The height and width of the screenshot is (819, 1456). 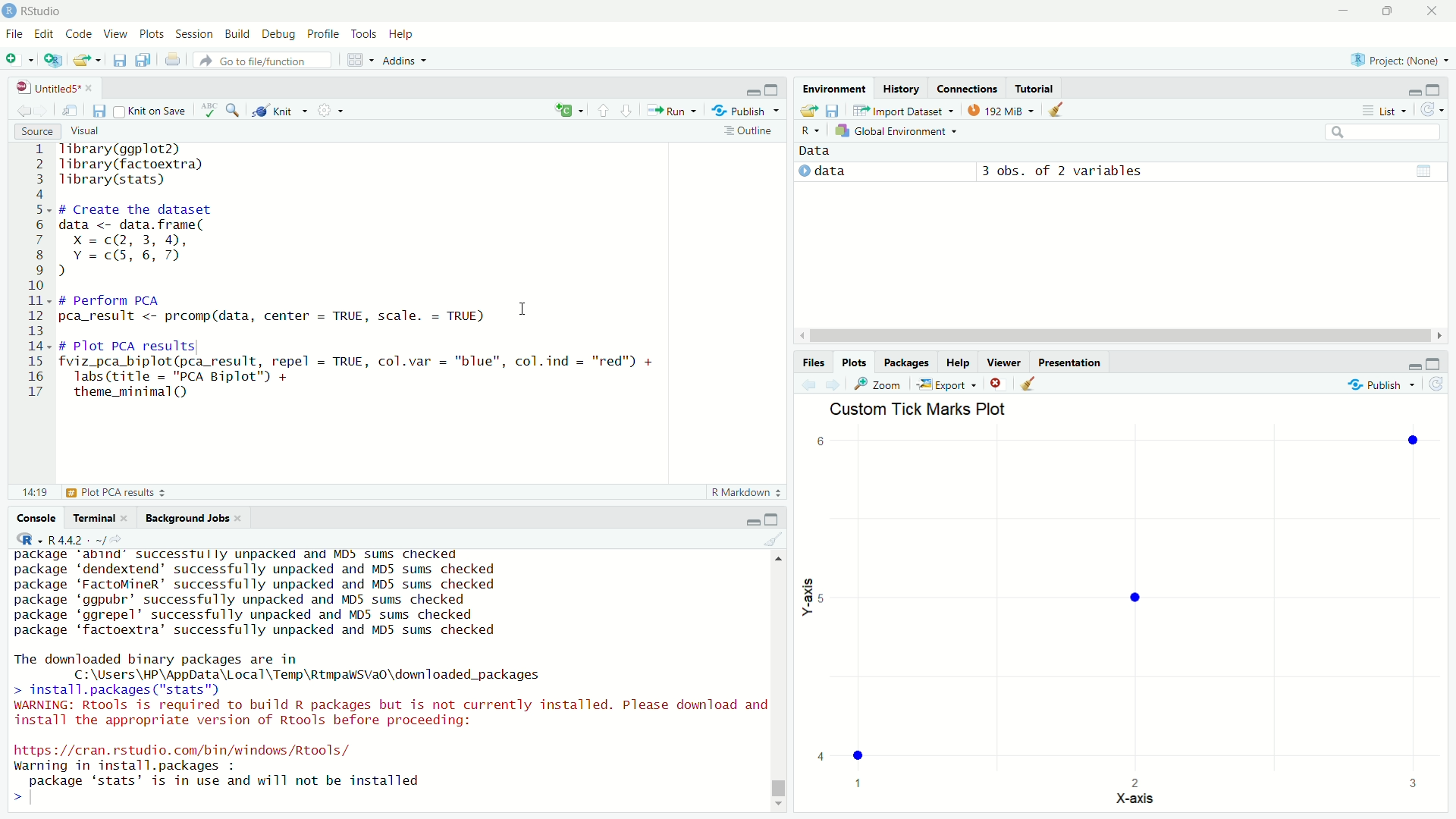 I want to click on profile, so click(x=325, y=35).